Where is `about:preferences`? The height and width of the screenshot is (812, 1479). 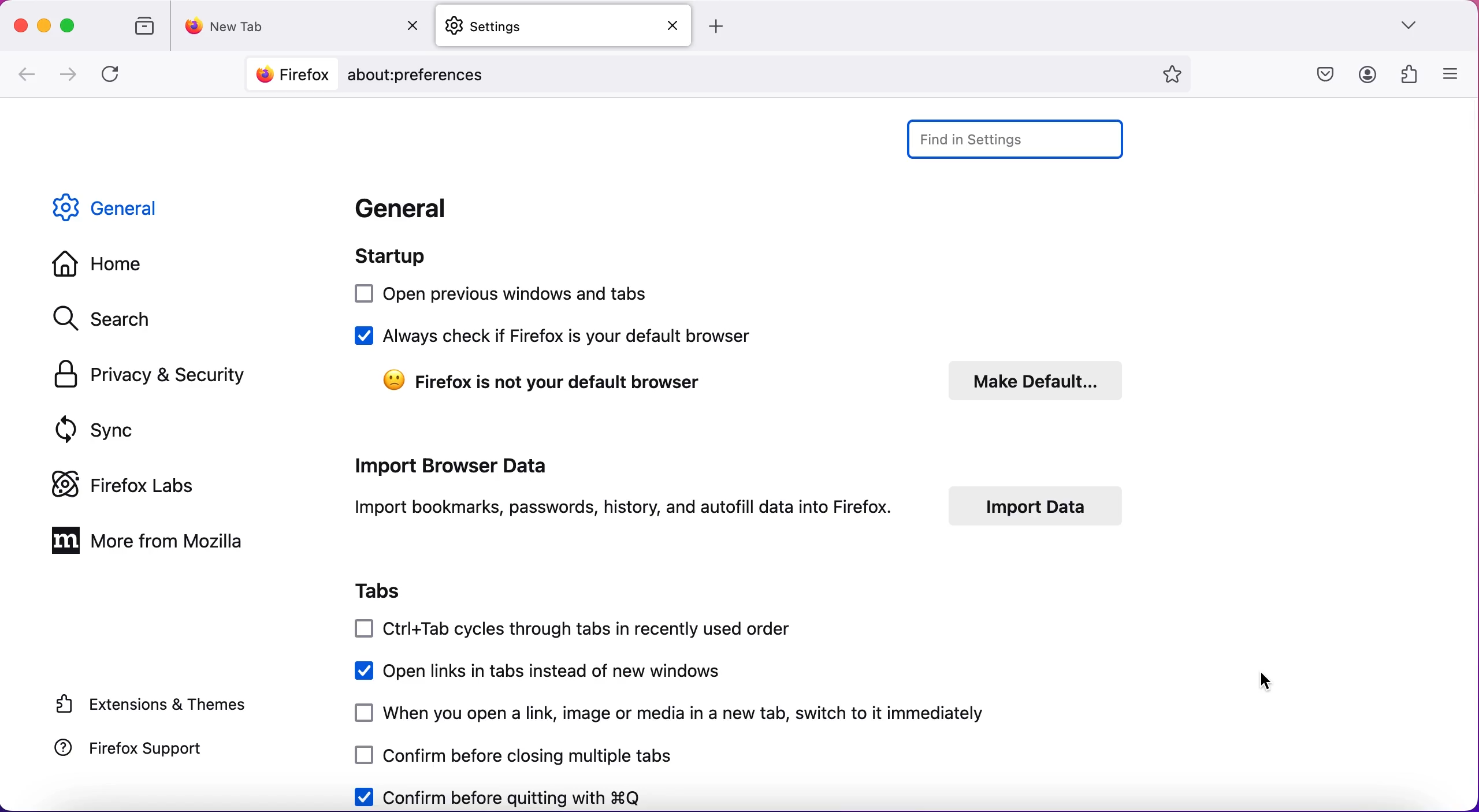
about:preferences is located at coordinates (704, 77).